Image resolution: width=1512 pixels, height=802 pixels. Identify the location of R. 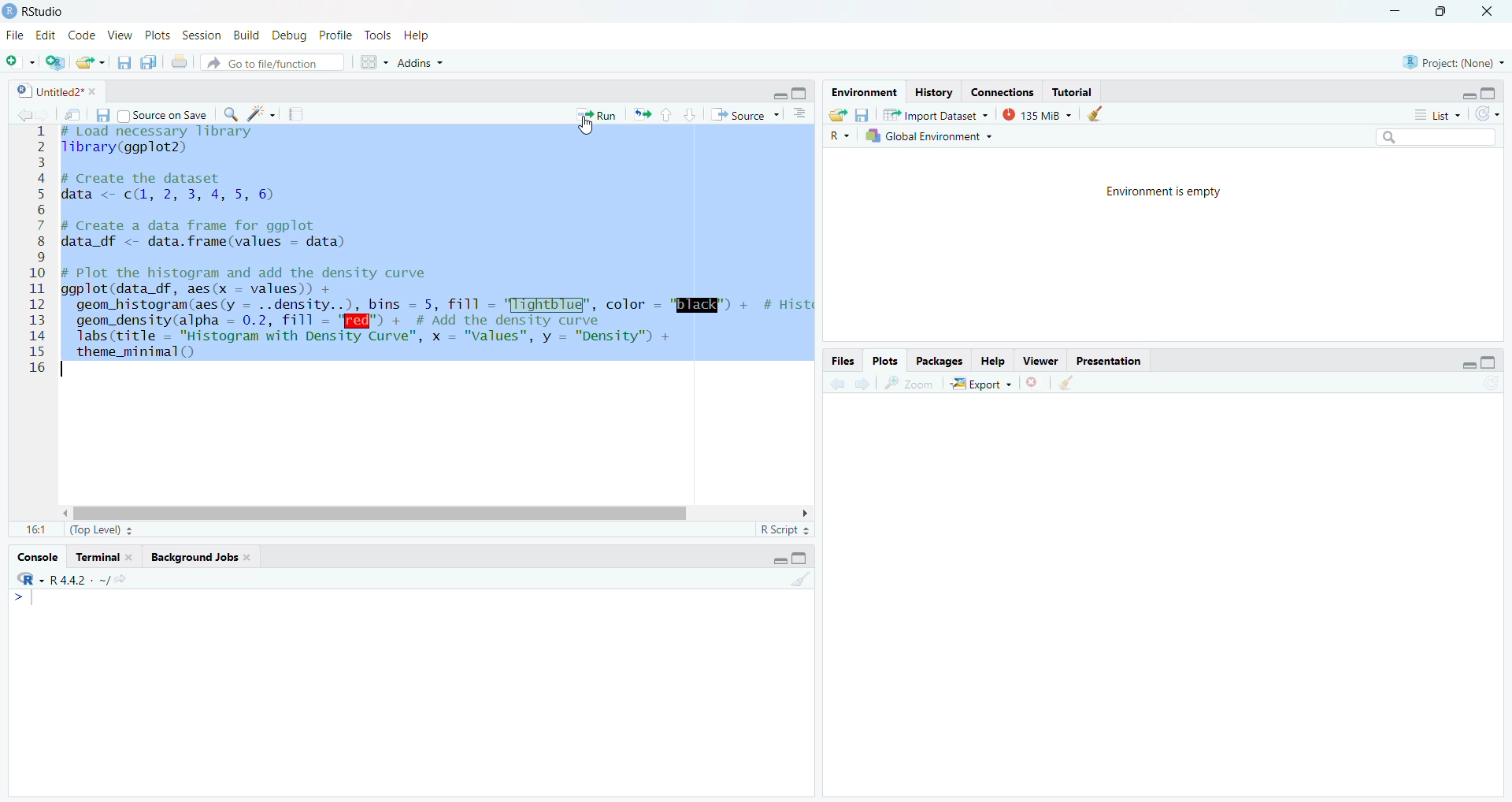
(845, 136).